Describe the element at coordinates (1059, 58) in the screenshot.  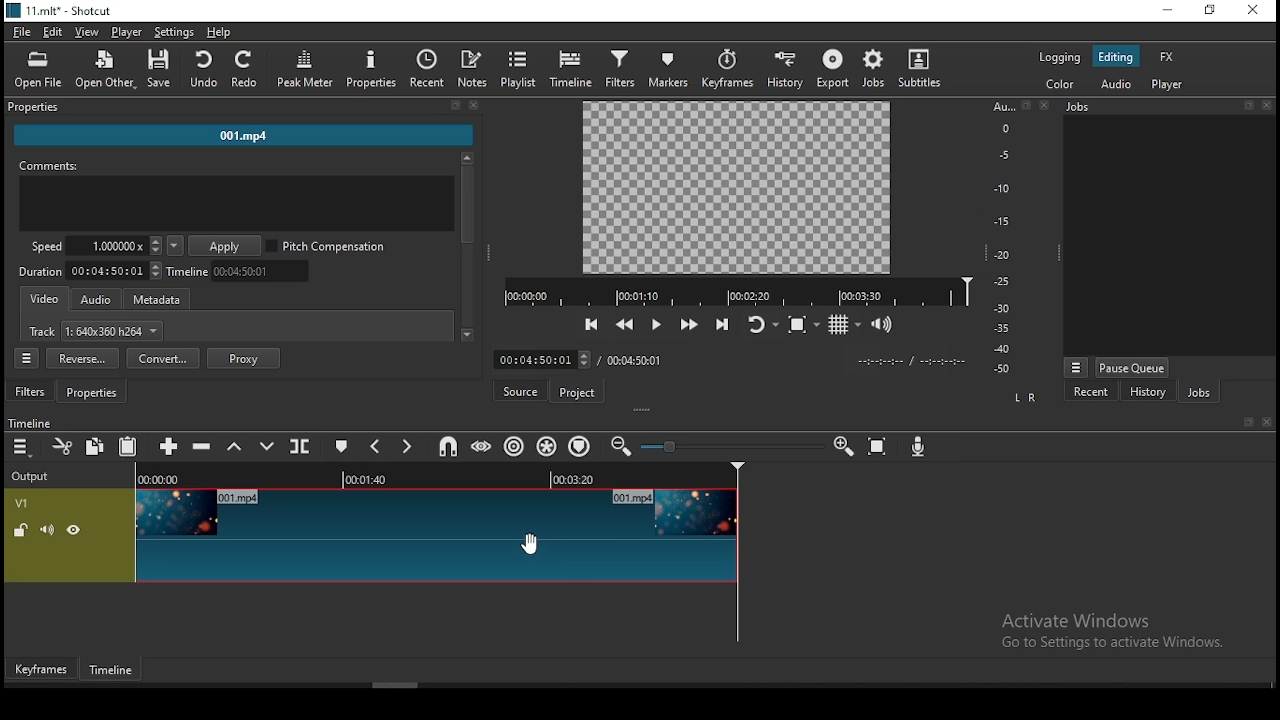
I see `logging` at that location.